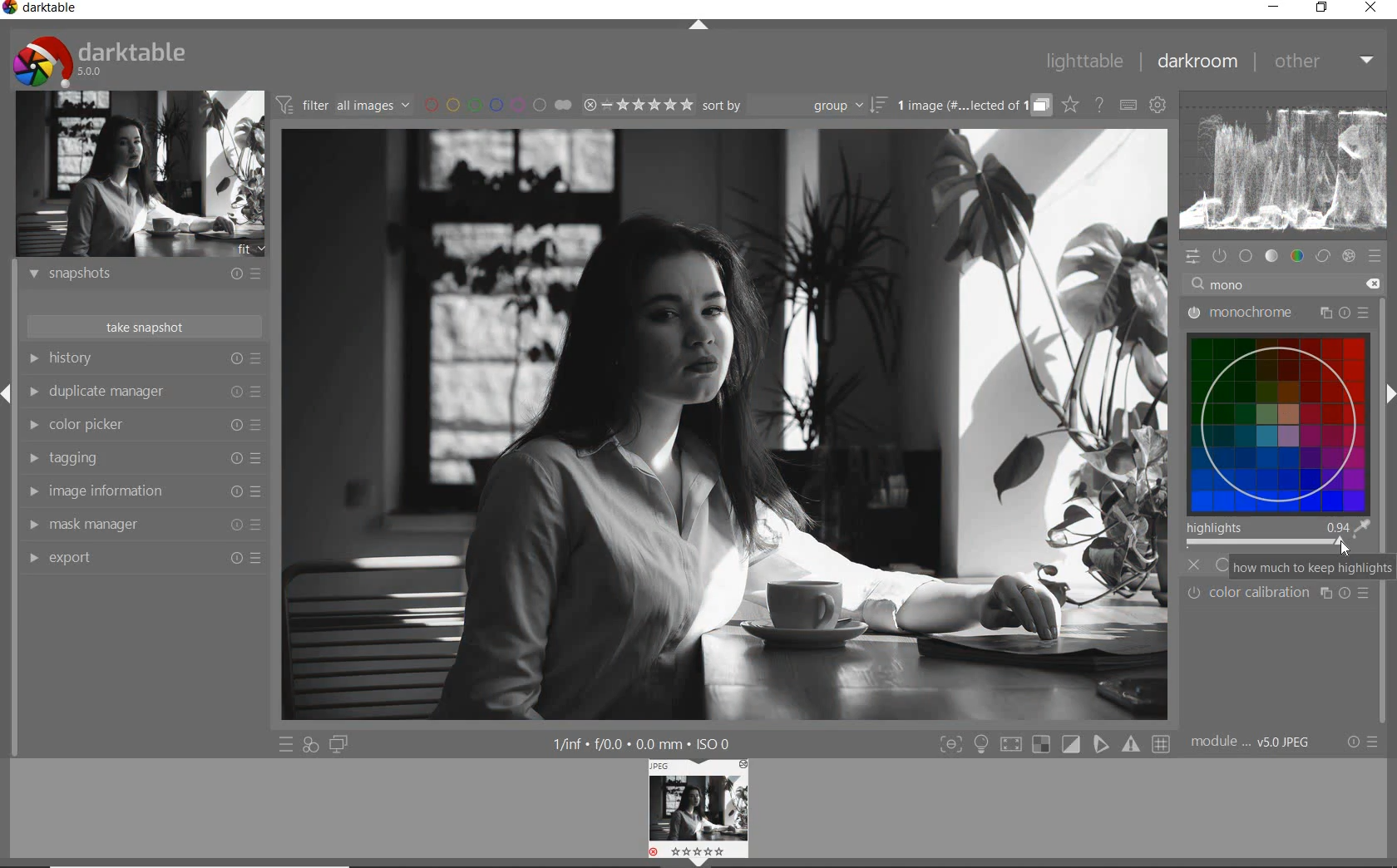  I want to click on image preview, so click(140, 172).